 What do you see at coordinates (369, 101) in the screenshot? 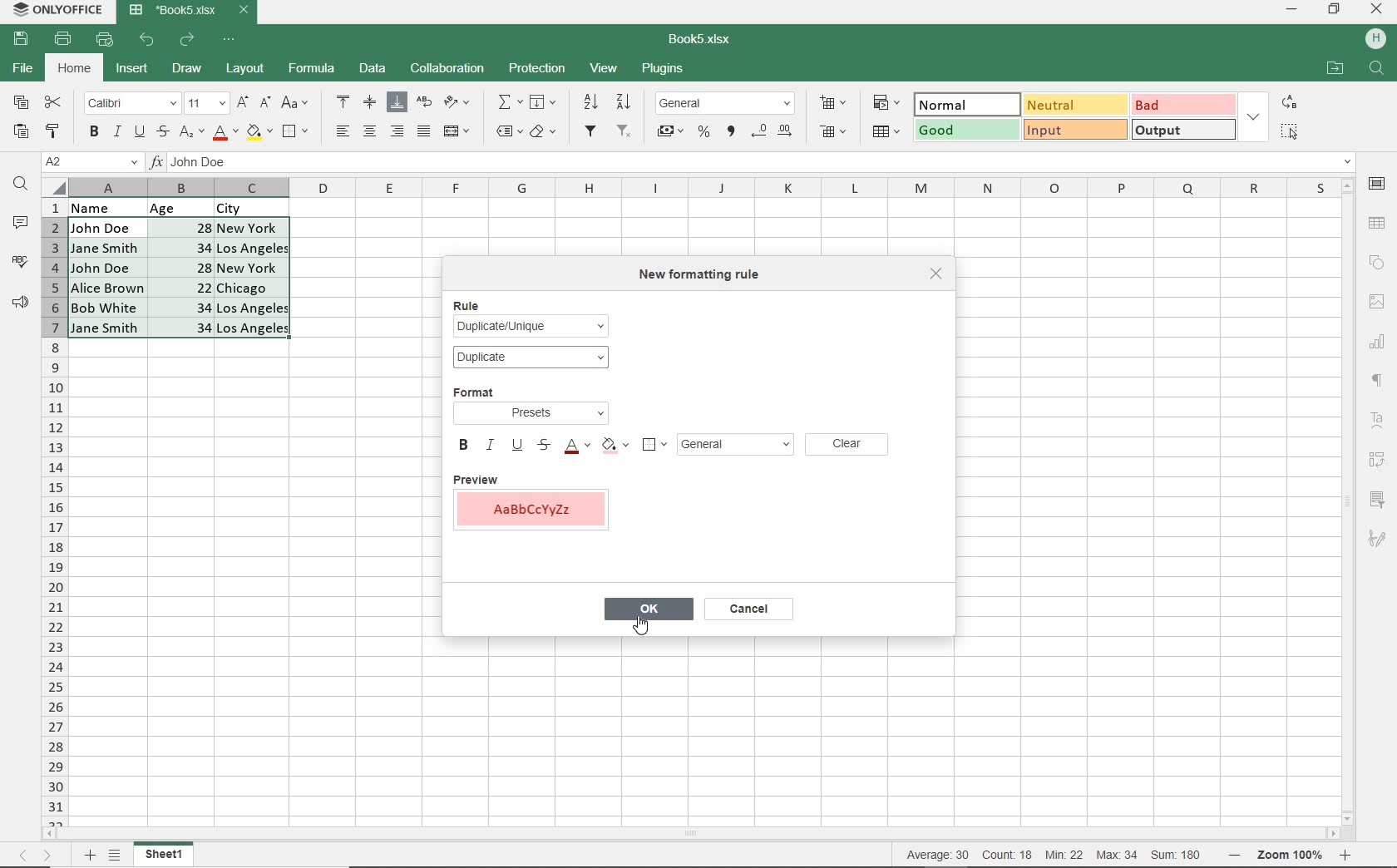
I see `ALIGN MIDDLE` at bounding box center [369, 101].